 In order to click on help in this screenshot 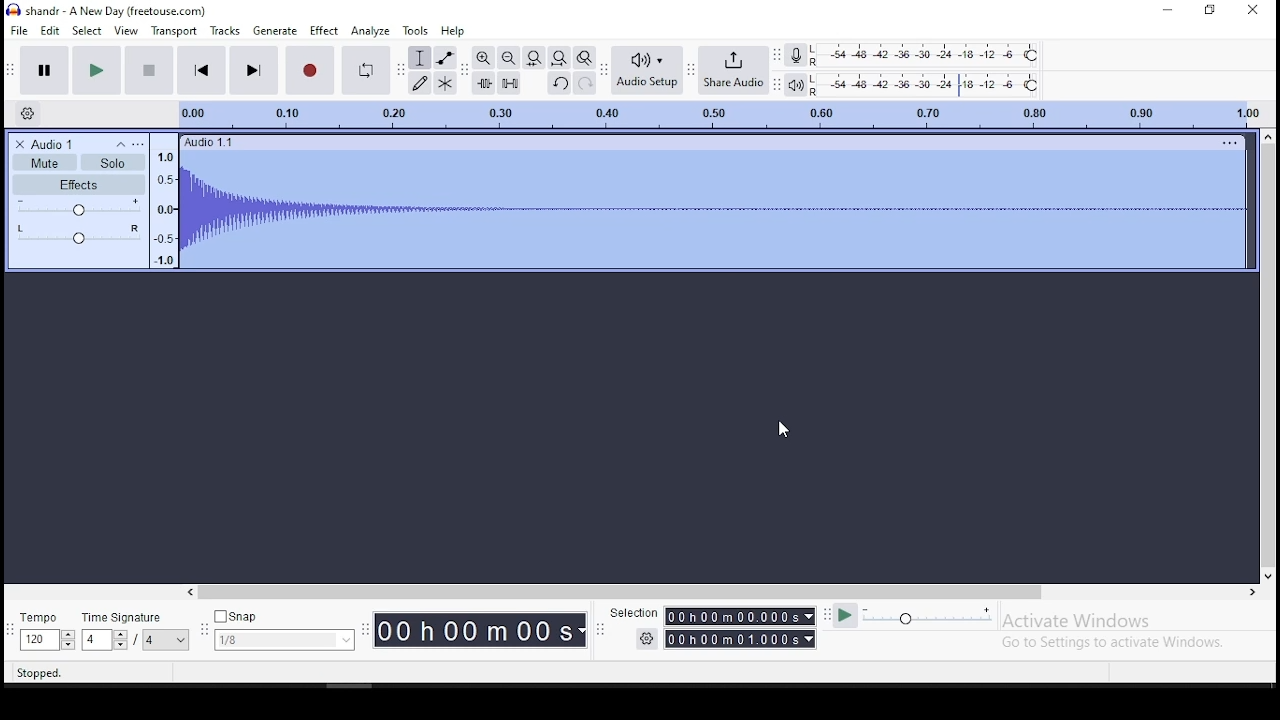, I will do `click(453, 30)`.